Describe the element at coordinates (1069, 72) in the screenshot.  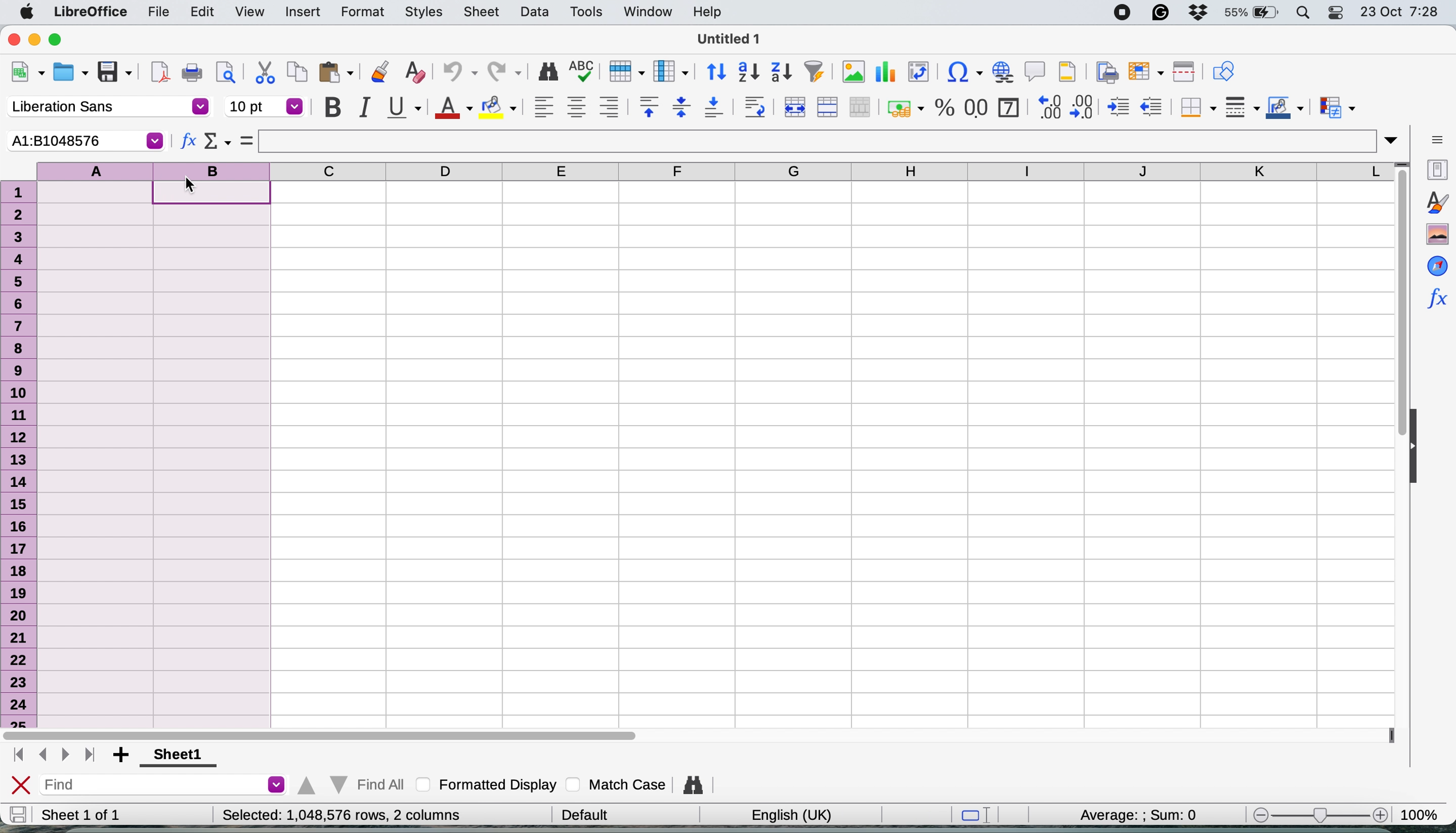
I see `headers and footers` at that location.